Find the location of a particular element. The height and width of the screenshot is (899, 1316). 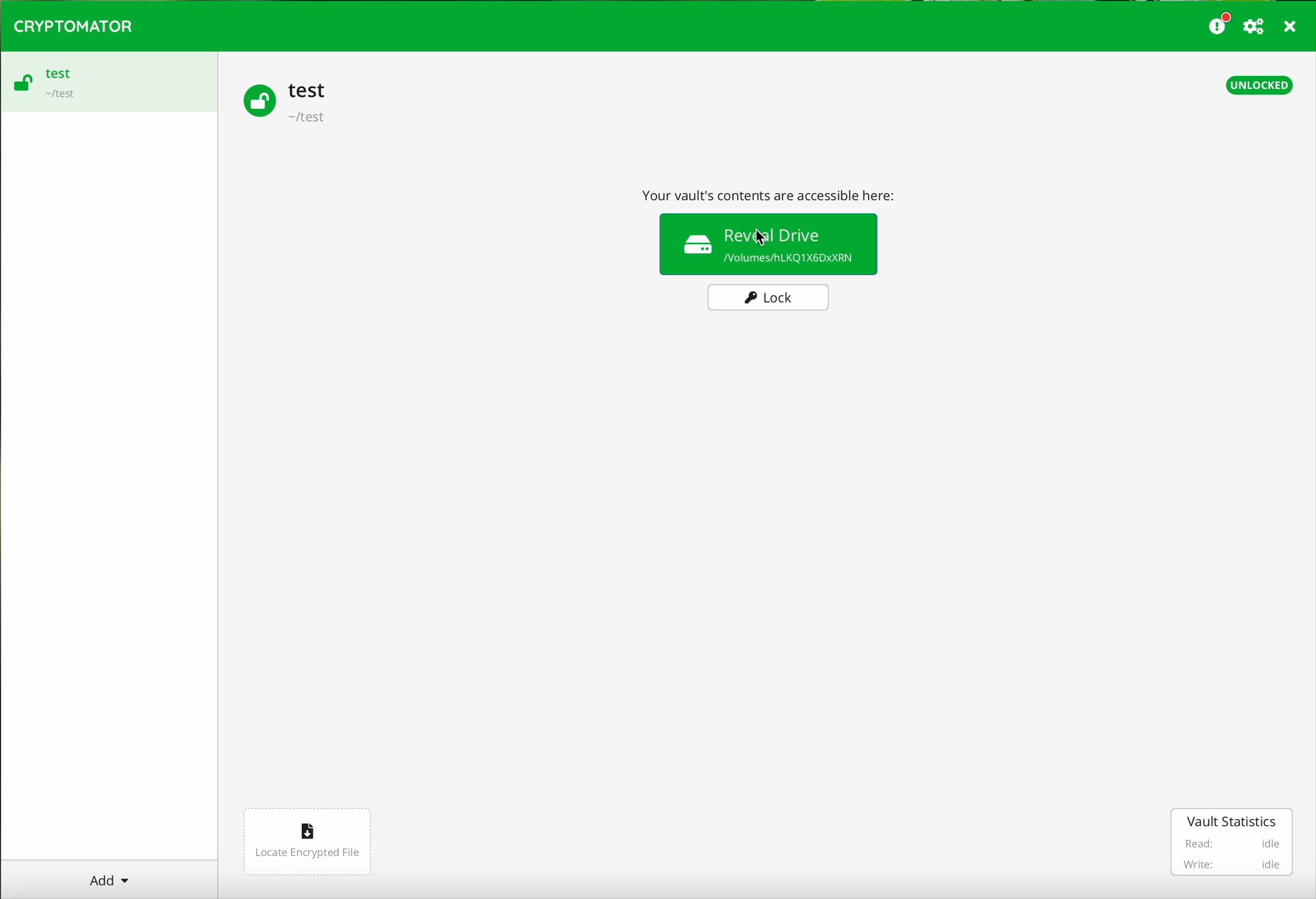

Your vault's contents are accessible here: is located at coordinates (774, 192).